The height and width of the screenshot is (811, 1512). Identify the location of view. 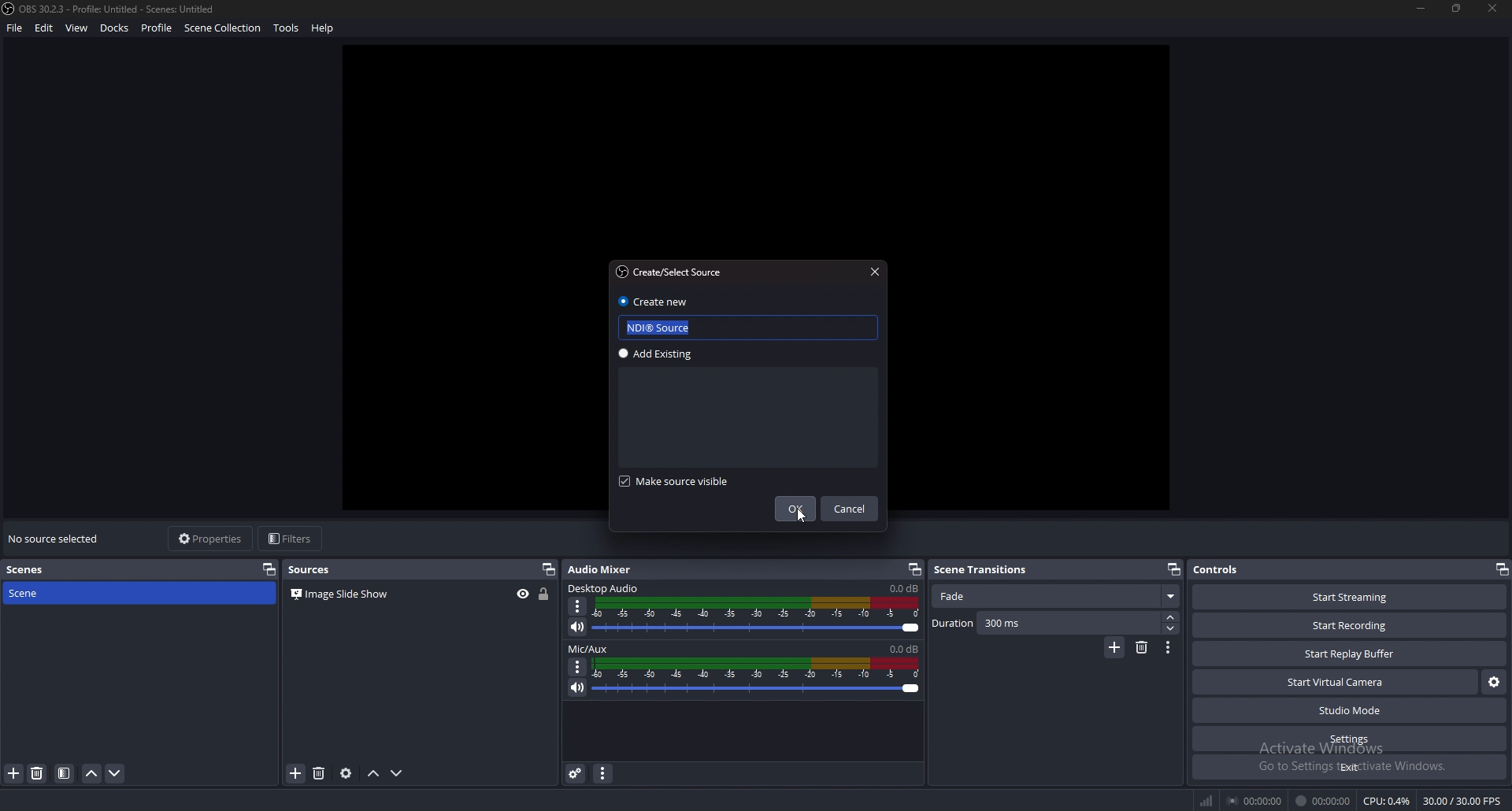
(78, 28).